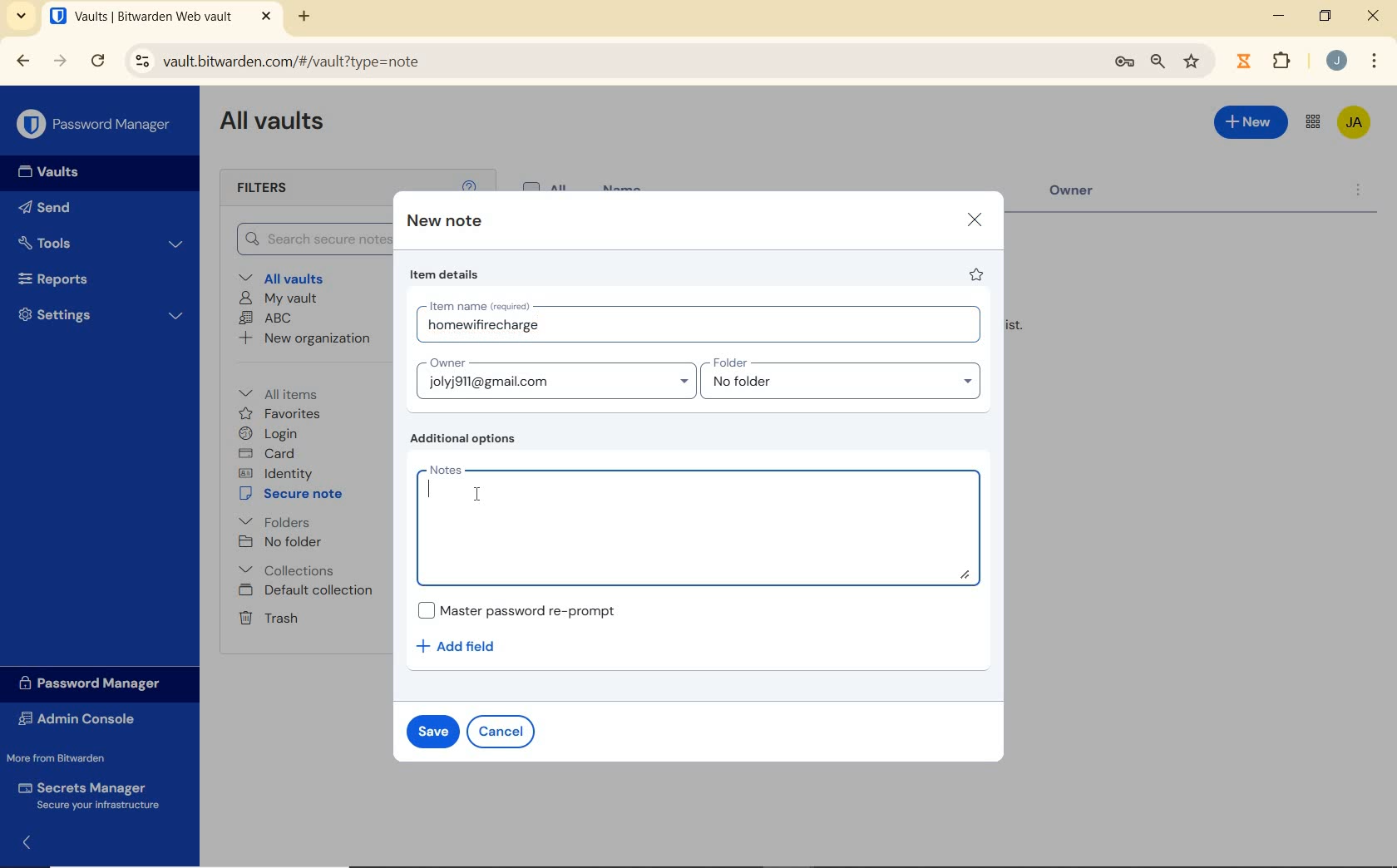 The image size is (1397, 868). Describe the element at coordinates (1085, 195) in the screenshot. I see `Owner` at that location.